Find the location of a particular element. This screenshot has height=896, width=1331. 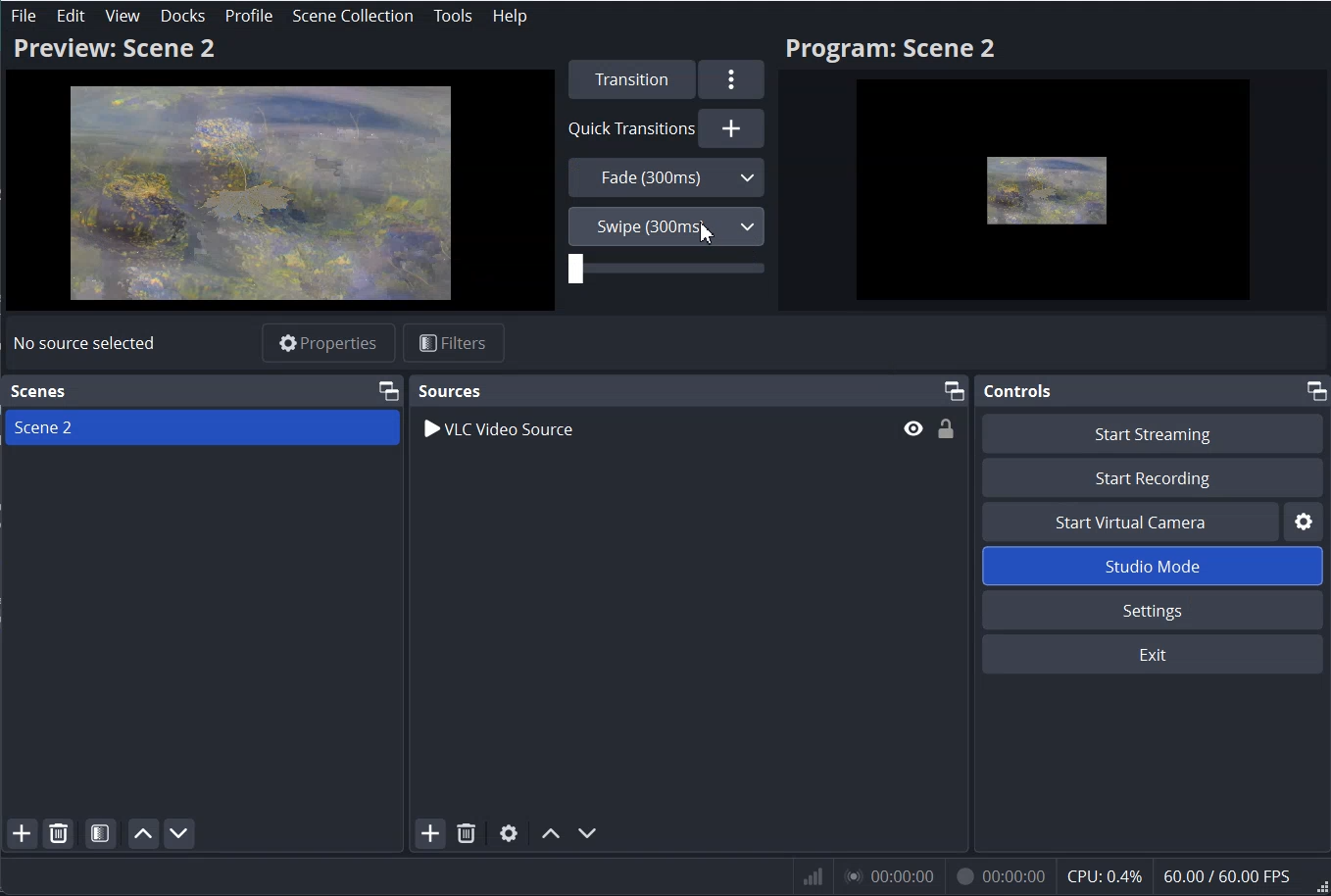

Properties is located at coordinates (327, 341).